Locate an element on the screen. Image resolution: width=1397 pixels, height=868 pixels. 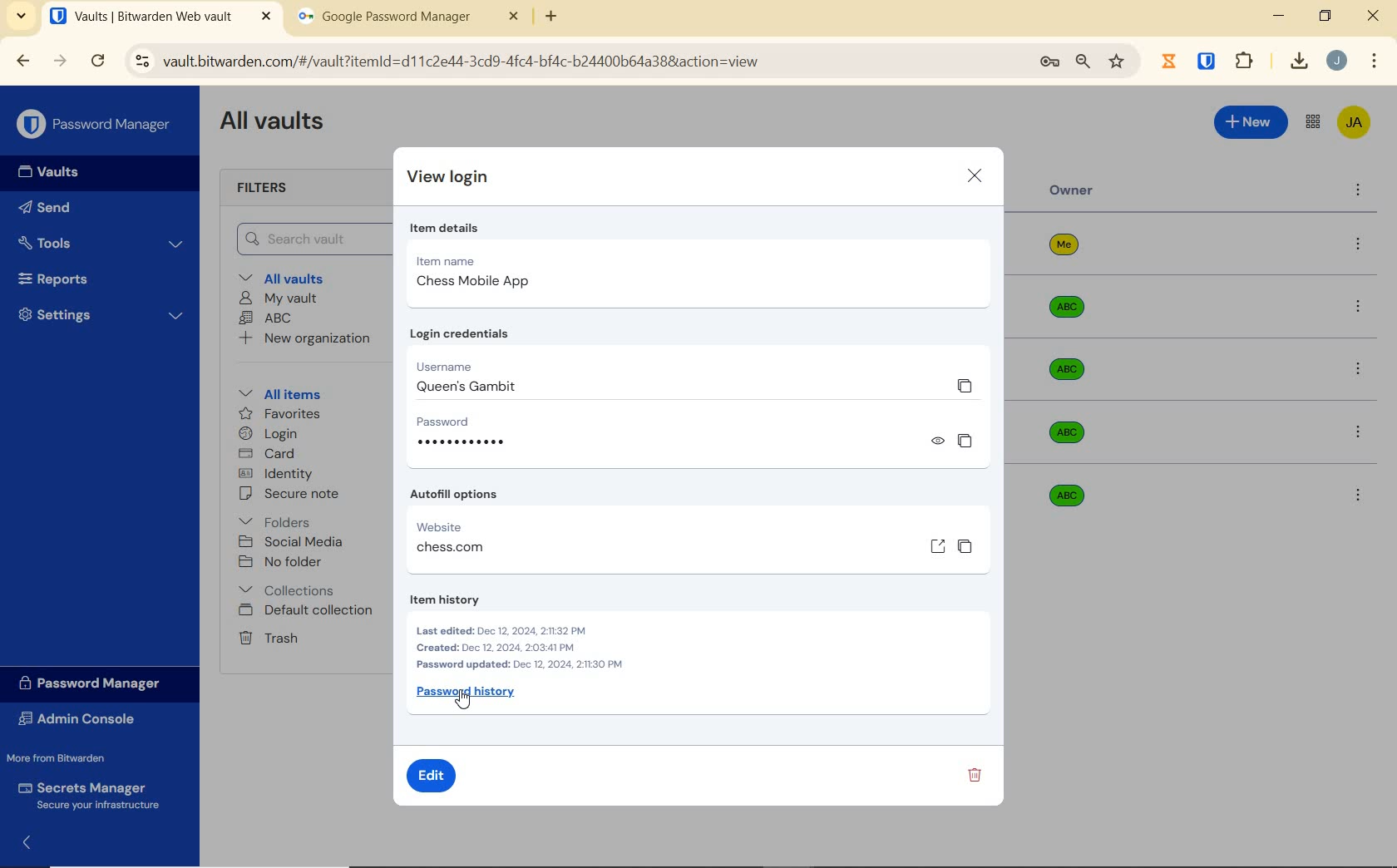
Autofill options is located at coordinates (474, 496).